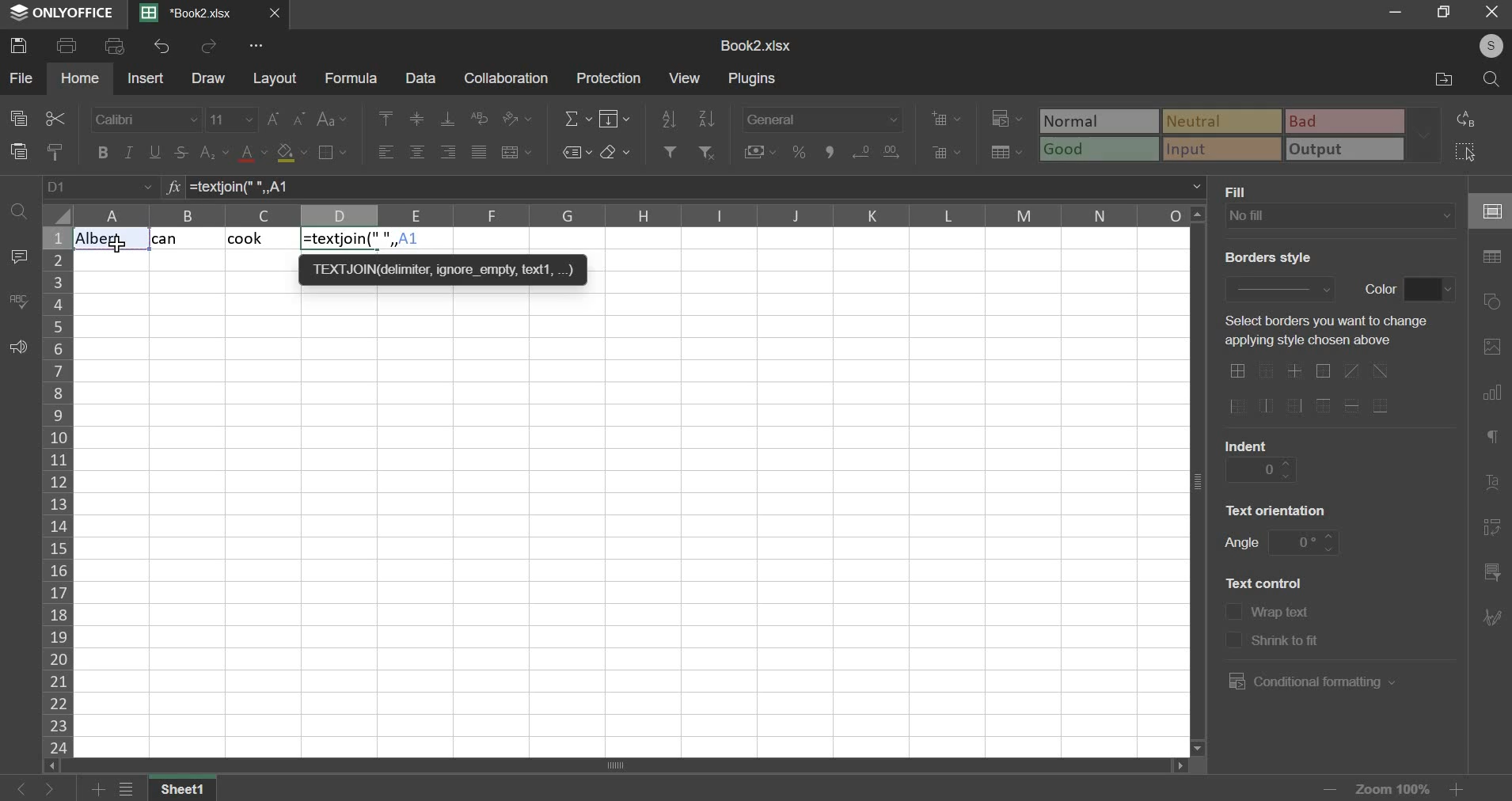 This screenshot has width=1512, height=801. Describe the element at coordinates (101, 152) in the screenshot. I see `bold` at that location.